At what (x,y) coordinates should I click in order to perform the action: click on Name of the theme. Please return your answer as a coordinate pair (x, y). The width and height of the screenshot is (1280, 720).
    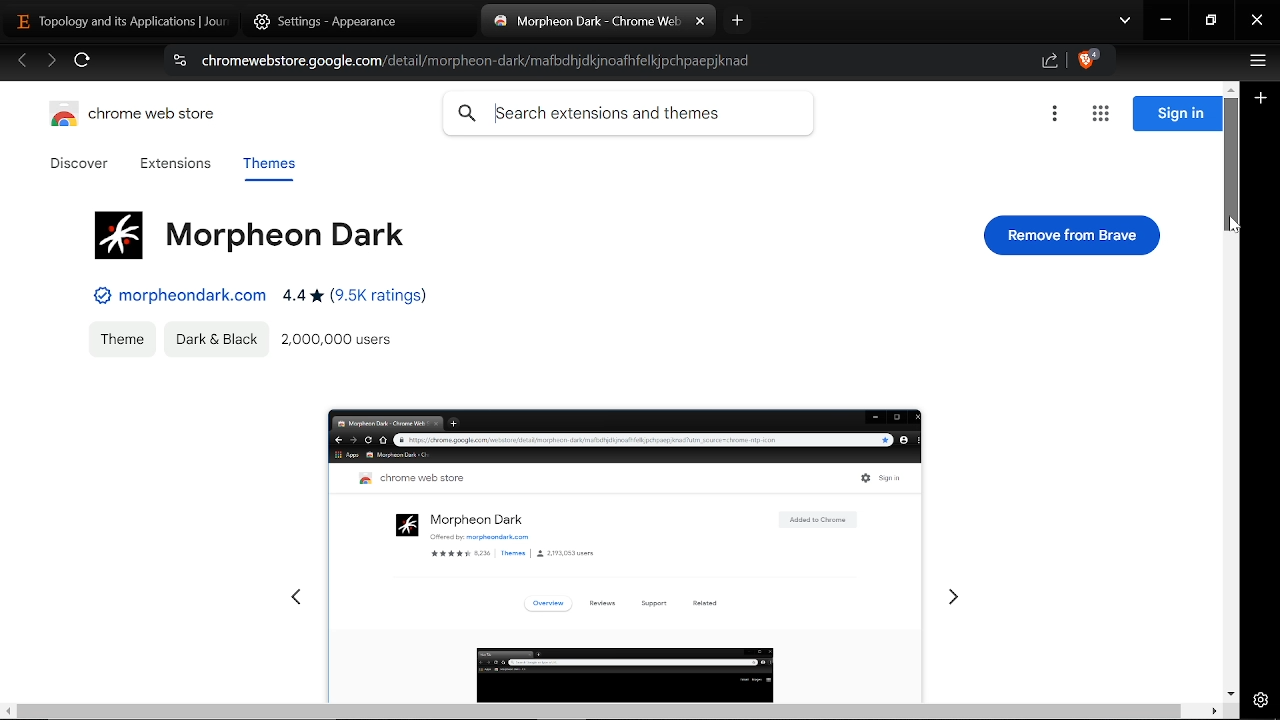
    Looking at the image, I should click on (246, 232).